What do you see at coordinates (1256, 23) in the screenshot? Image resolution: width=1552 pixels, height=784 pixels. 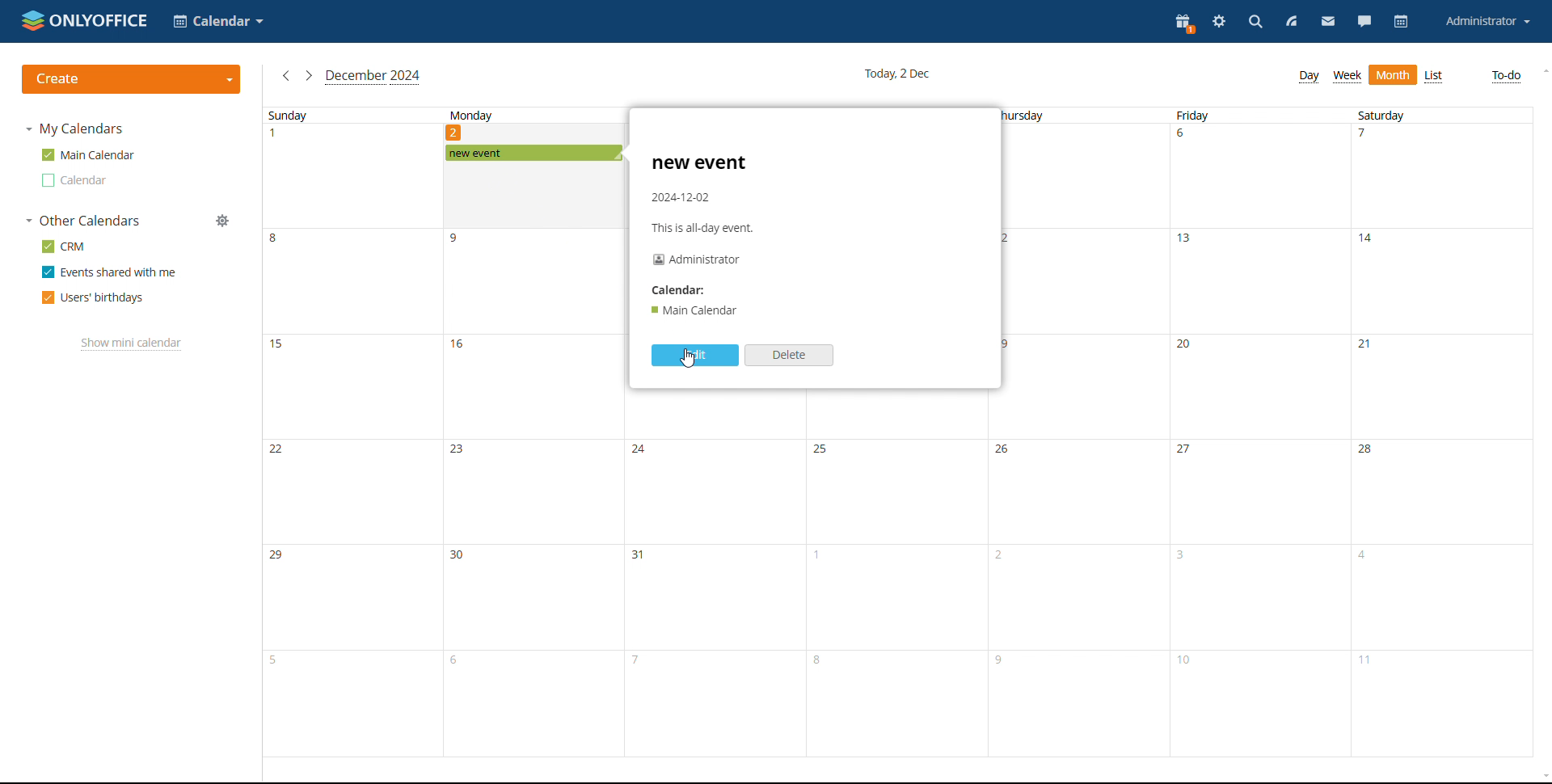 I see `search` at bounding box center [1256, 23].